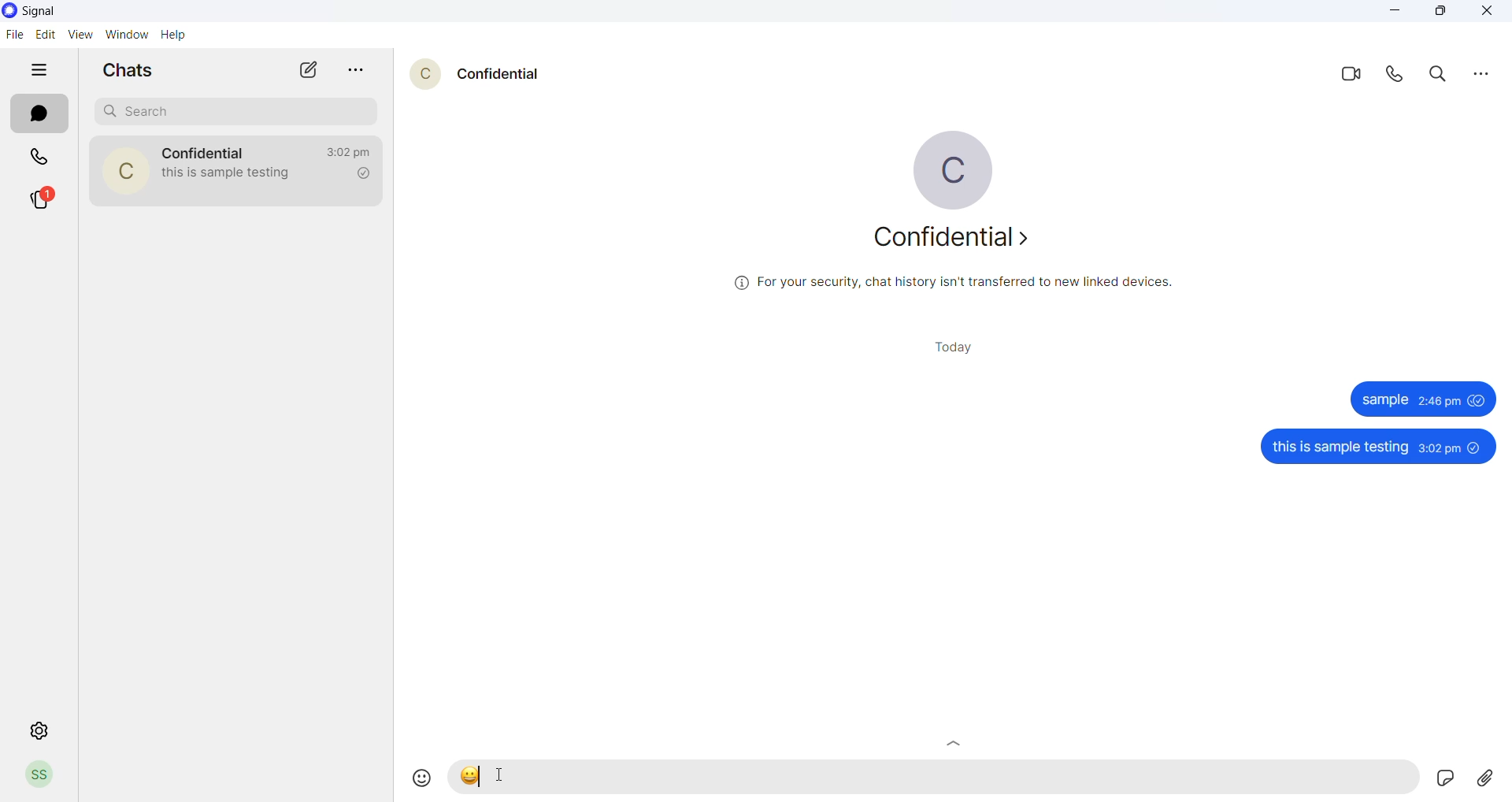 Image resolution: width=1512 pixels, height=802 pixels. Describe the element at coordinates (461, 776) in the screenshot. I see `emoji` at that location.